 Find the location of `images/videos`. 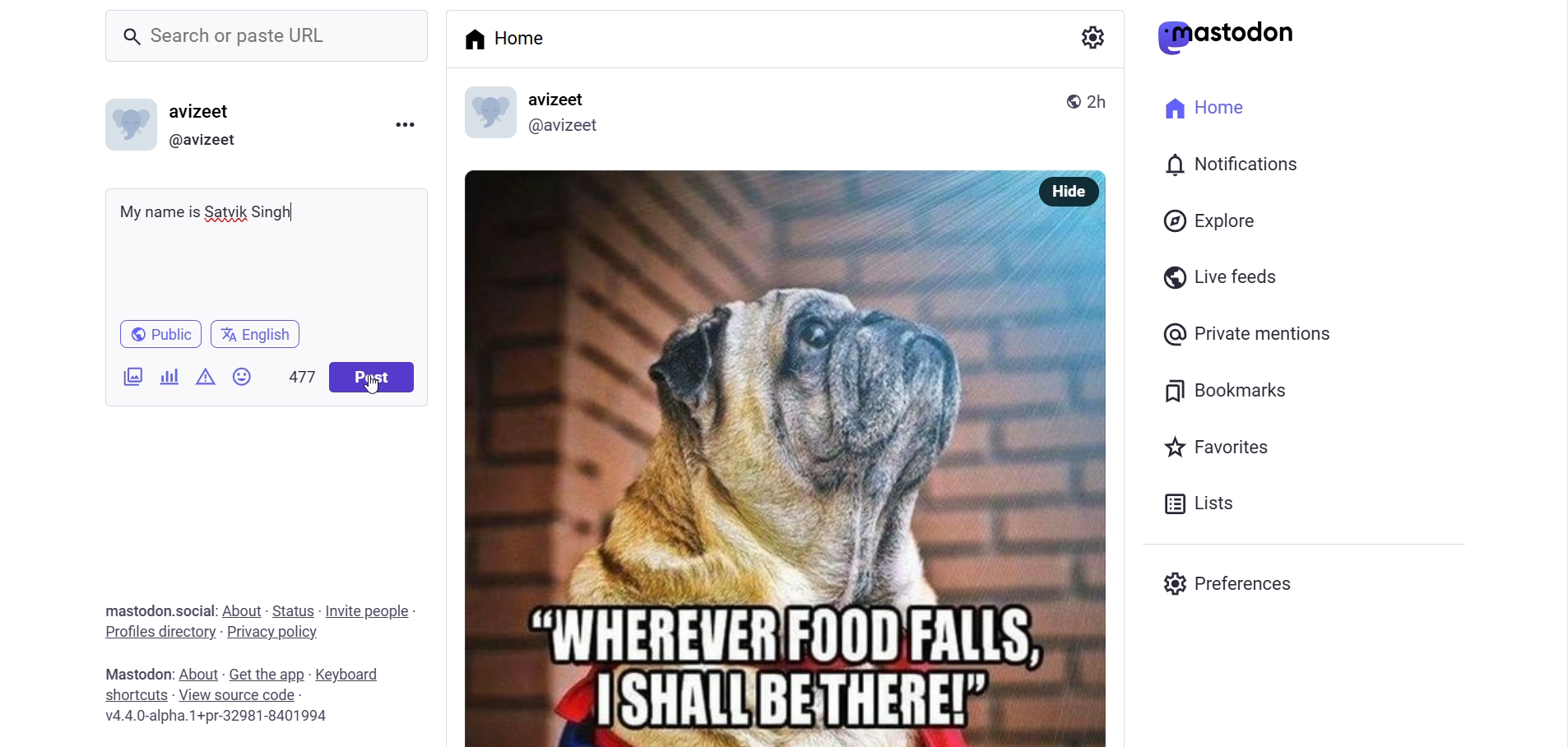

images/videos is located at coordinates (128, 378).